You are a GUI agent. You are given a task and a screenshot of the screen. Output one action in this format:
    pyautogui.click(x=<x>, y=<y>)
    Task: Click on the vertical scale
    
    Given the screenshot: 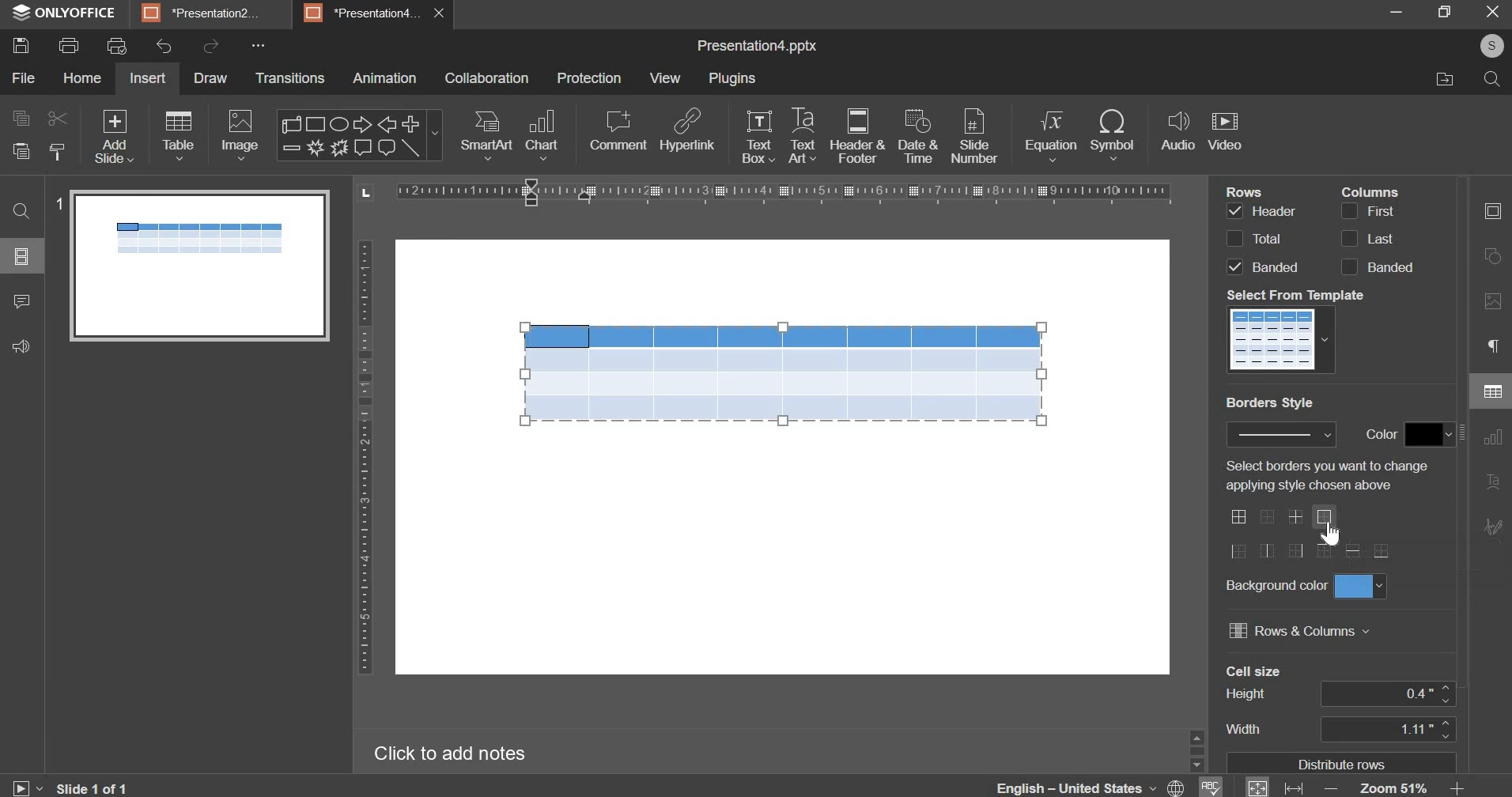 What is the action you would take?
    pyautogui.click(x=765, y=195)
    